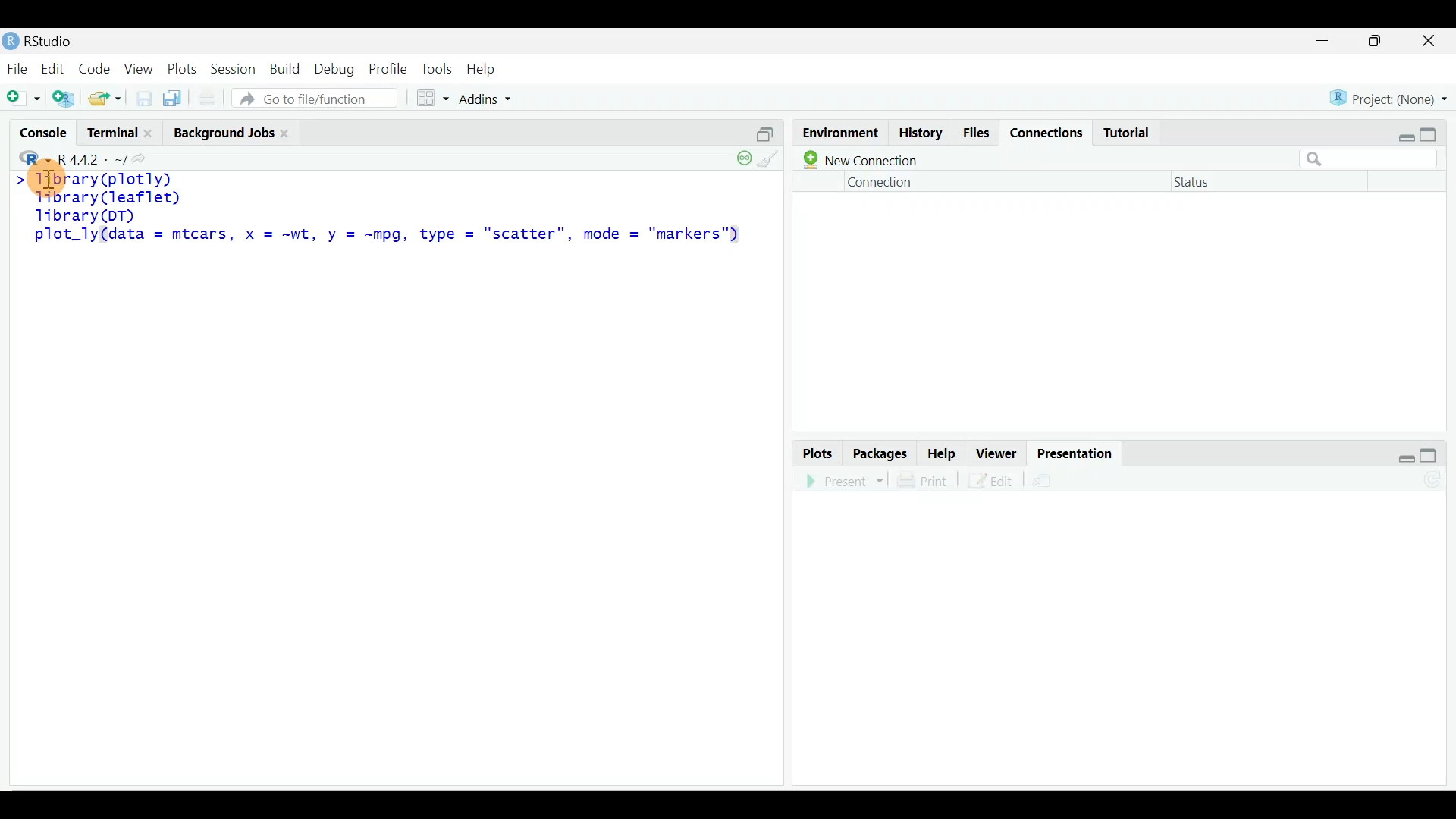 Image resolution: width=1456 pixels, height=819 pixels. I want to click on maximize, so click(1433, 131).